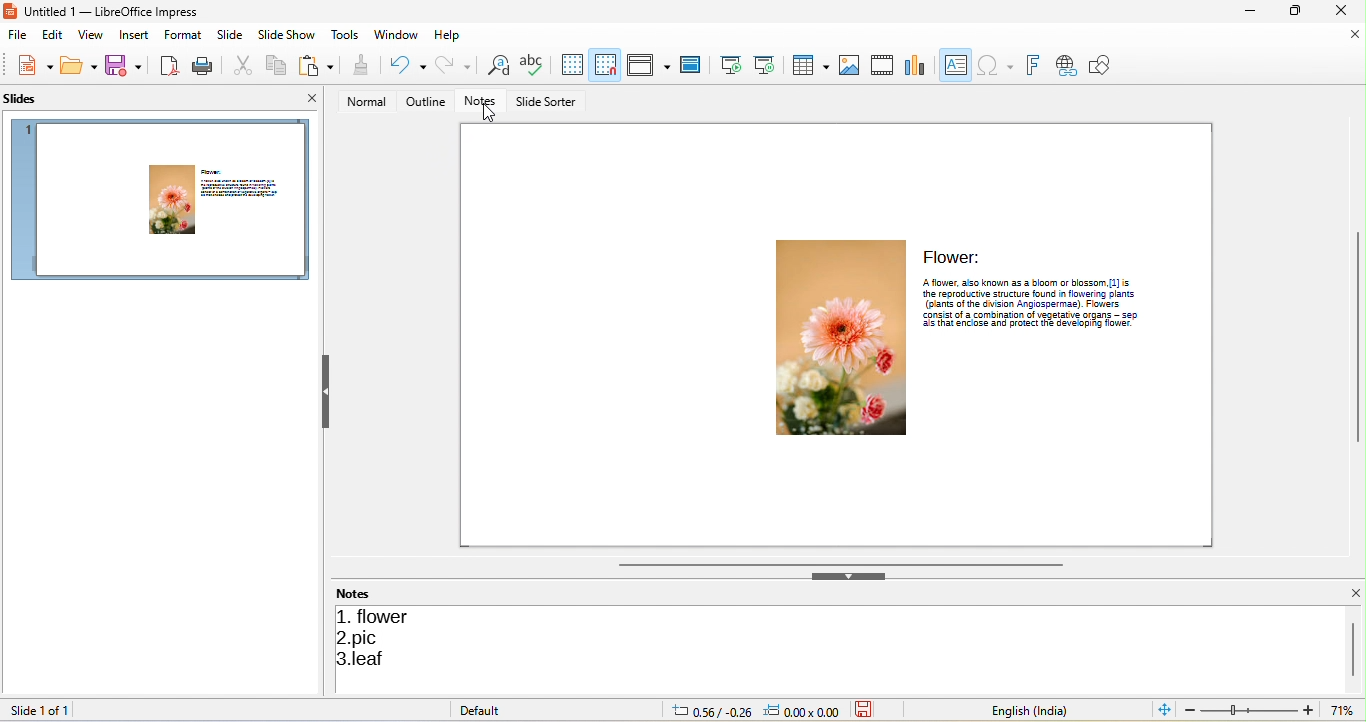 The height and width of the screenshot is (722, 1366). What do you see at coordinates (169, 65) in the screenshot?
I see `export directly as pdf` at bounding box center [169, 65].